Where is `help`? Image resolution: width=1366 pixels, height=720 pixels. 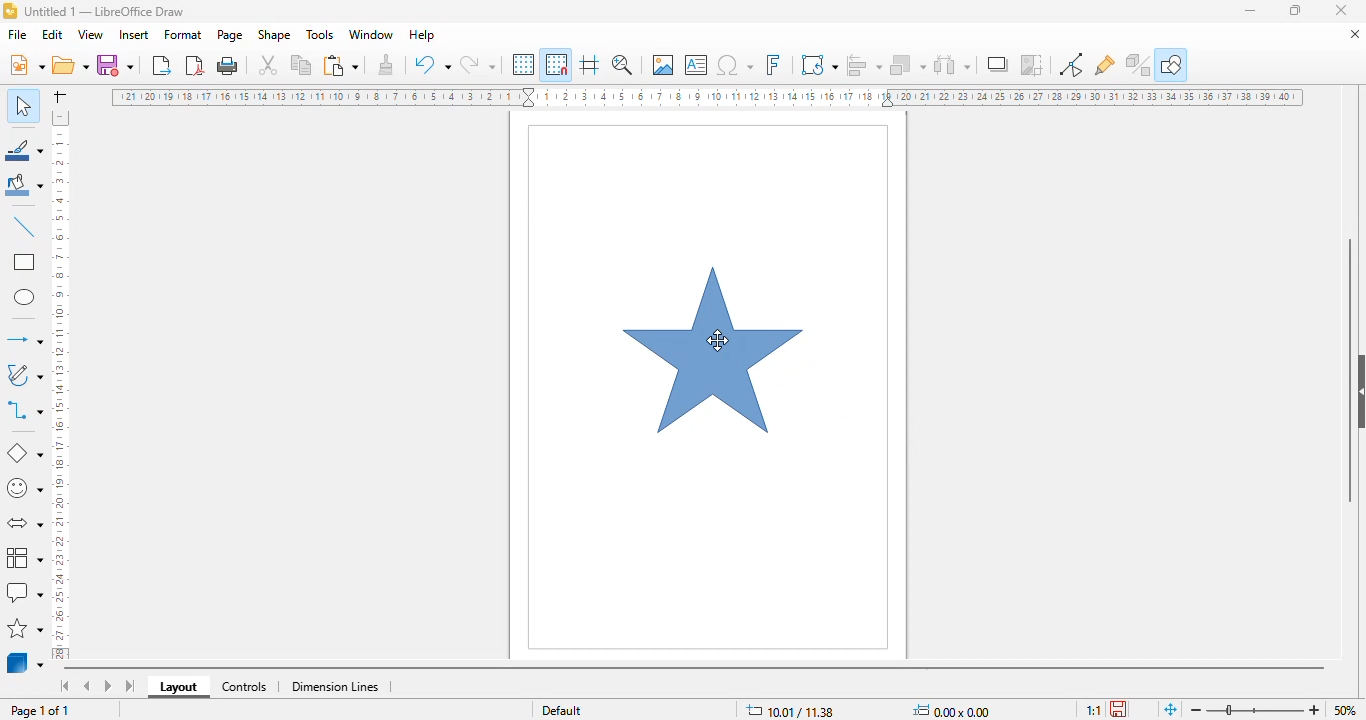 help is located at coordinates (423, 35).